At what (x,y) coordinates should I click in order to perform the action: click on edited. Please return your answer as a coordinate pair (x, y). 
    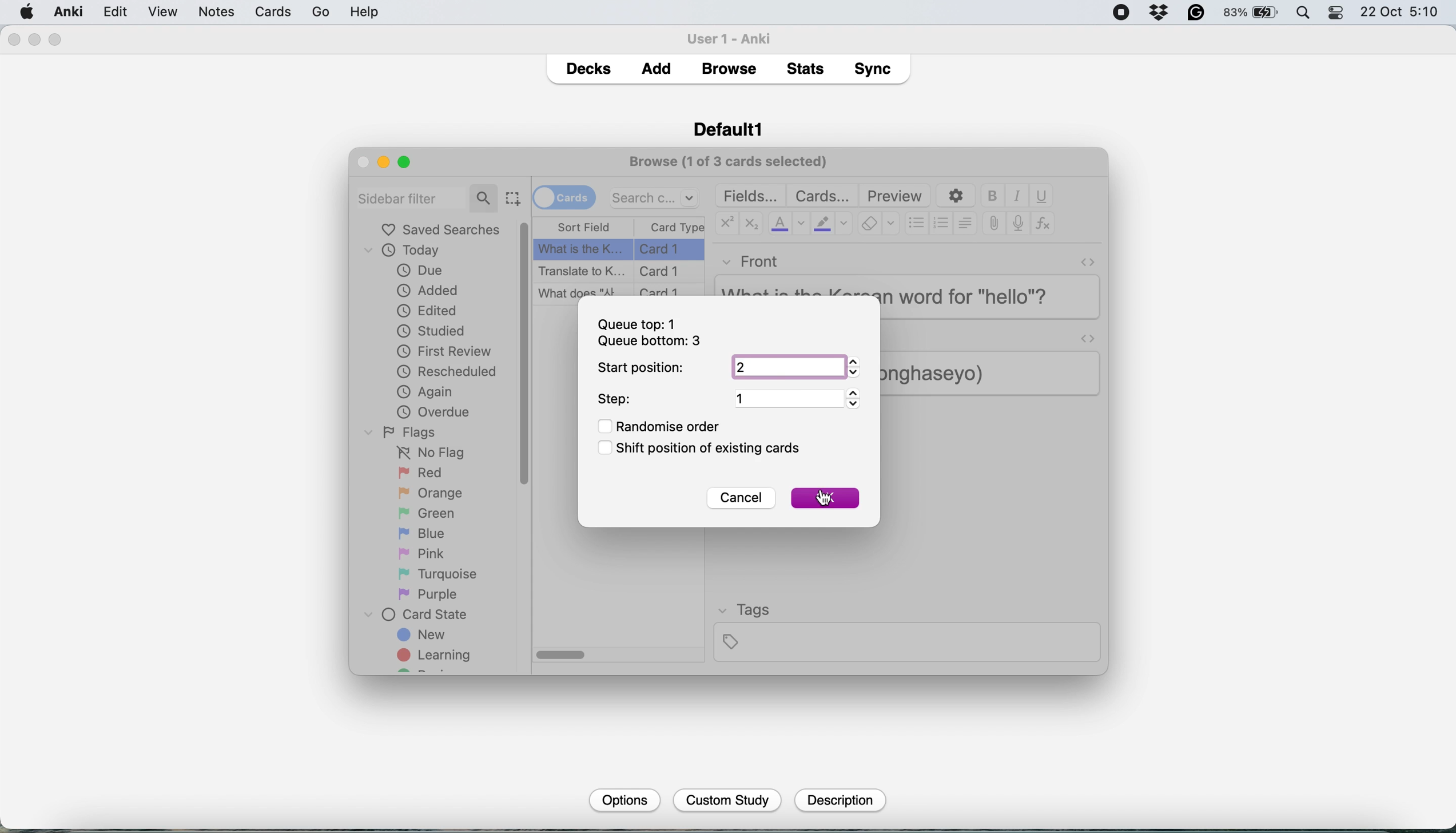
    Looking at the image, I should click on (428, 311).